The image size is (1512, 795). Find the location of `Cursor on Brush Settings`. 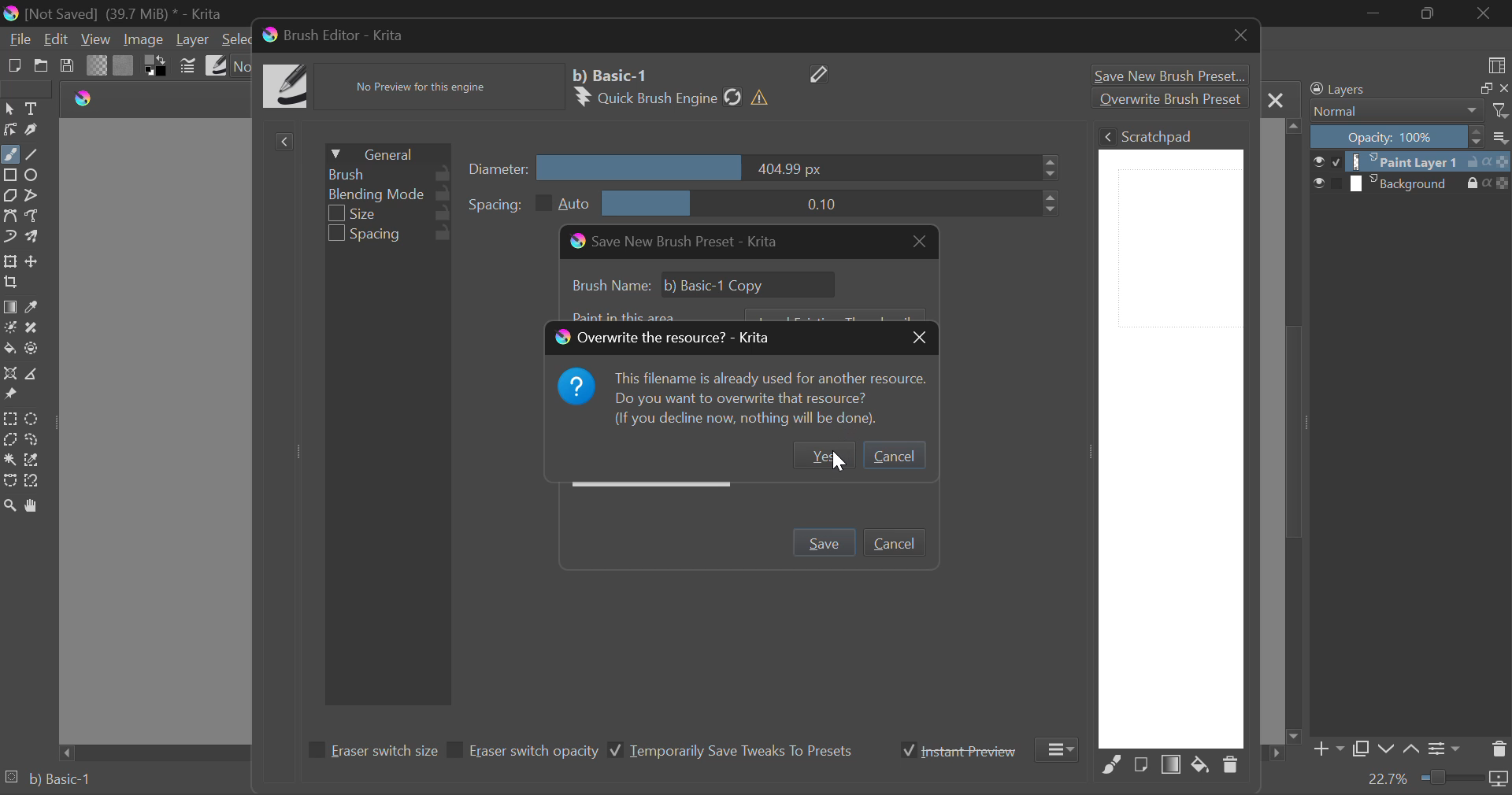

Cursor on Brush Settings is located at coordinates (188, 66).